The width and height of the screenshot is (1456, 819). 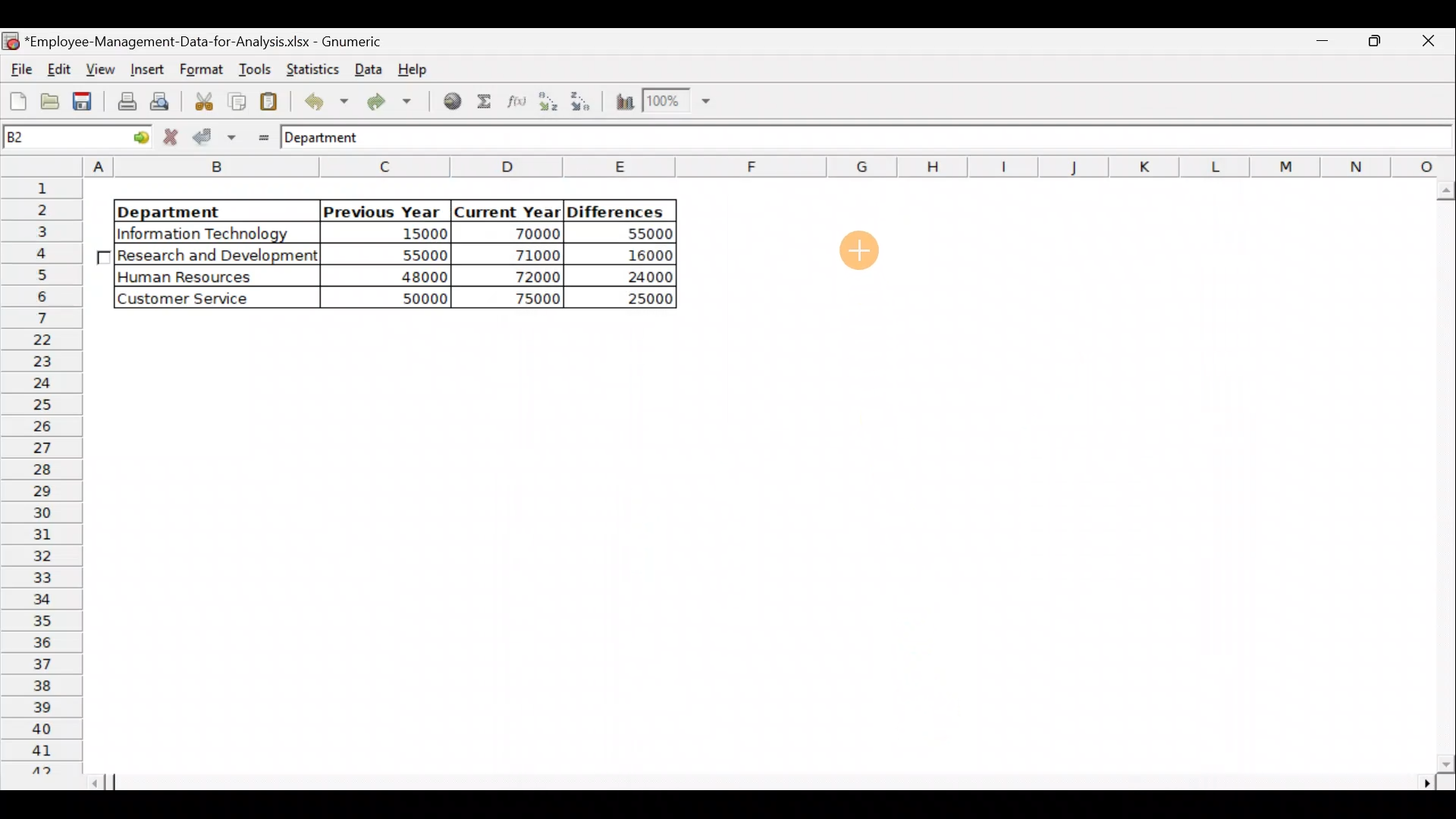 What do you see at coordinates (642, 234) in the screenshot?
I see `55000` at bounding box center [642, 234].